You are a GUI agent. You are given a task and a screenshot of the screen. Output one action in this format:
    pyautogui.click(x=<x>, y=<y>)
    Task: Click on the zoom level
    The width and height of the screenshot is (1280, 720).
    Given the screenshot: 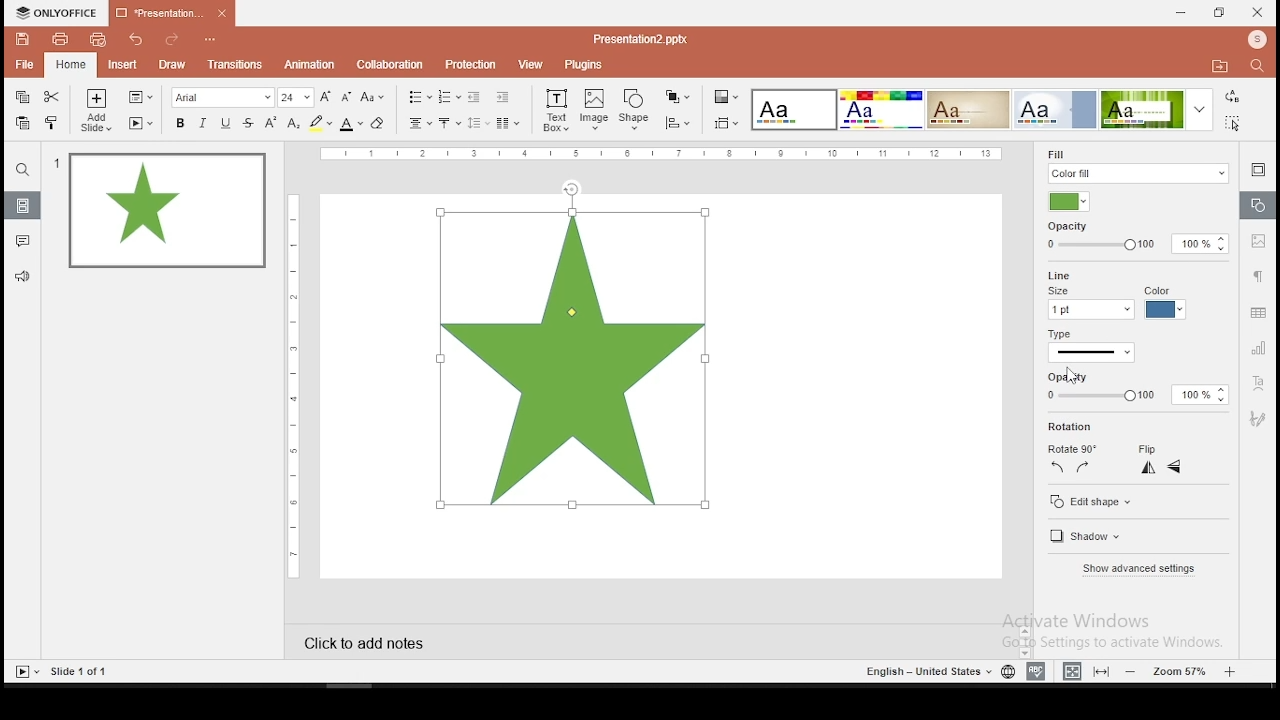 What is the action you would take?
    pyautogui.click(x=1182, y=670)
    